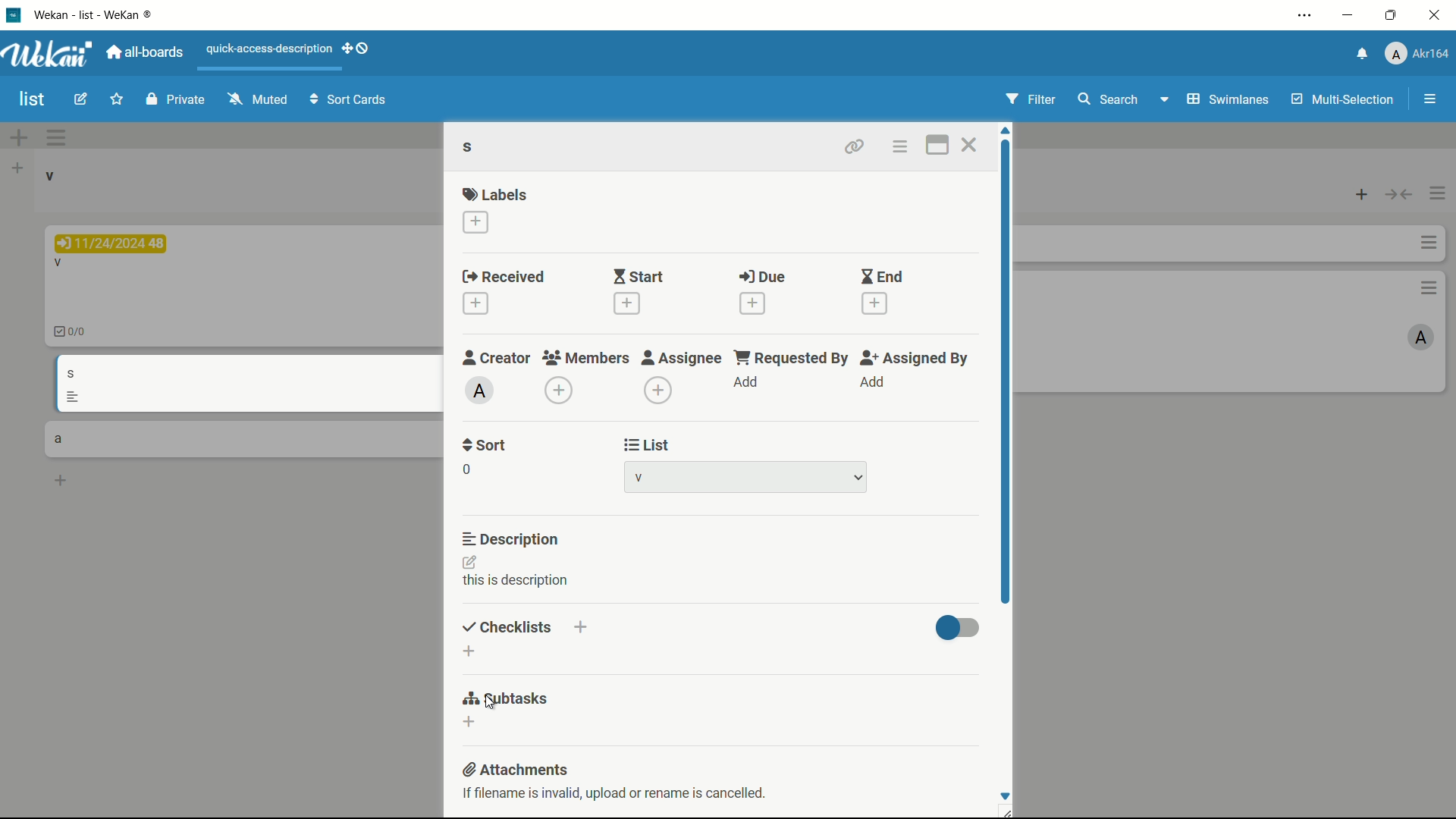  Describe the element at coordinates (1430, 99) in the screenshot. I see `open/close sidebar` at that location.